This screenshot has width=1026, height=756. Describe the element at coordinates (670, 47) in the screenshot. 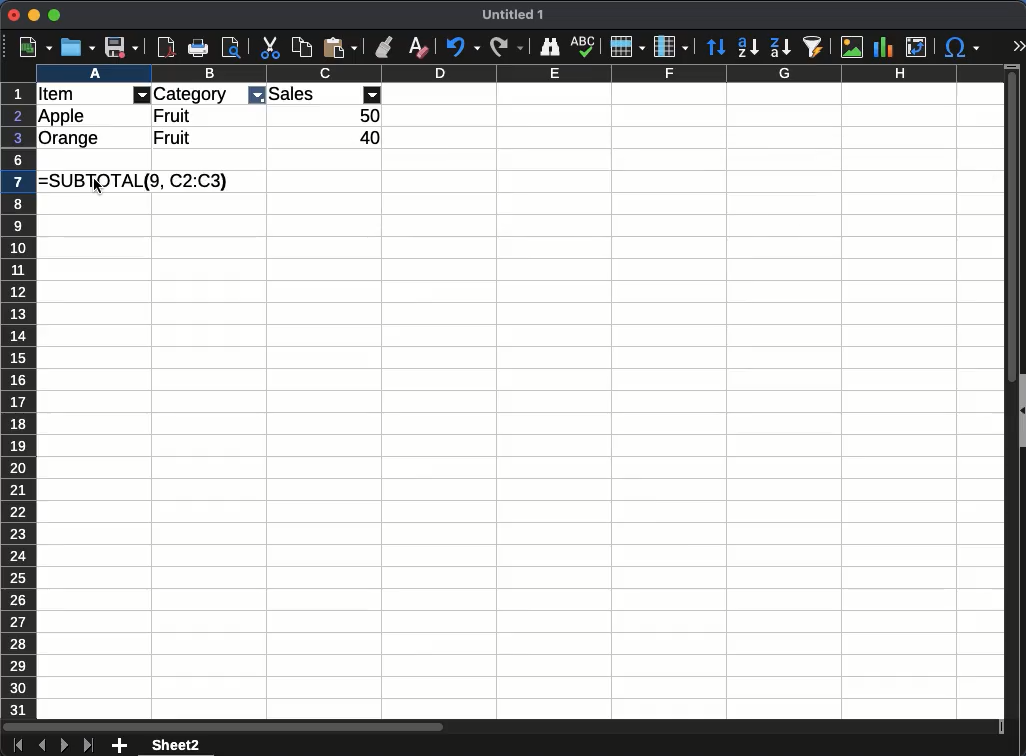

I see `column` at that location.